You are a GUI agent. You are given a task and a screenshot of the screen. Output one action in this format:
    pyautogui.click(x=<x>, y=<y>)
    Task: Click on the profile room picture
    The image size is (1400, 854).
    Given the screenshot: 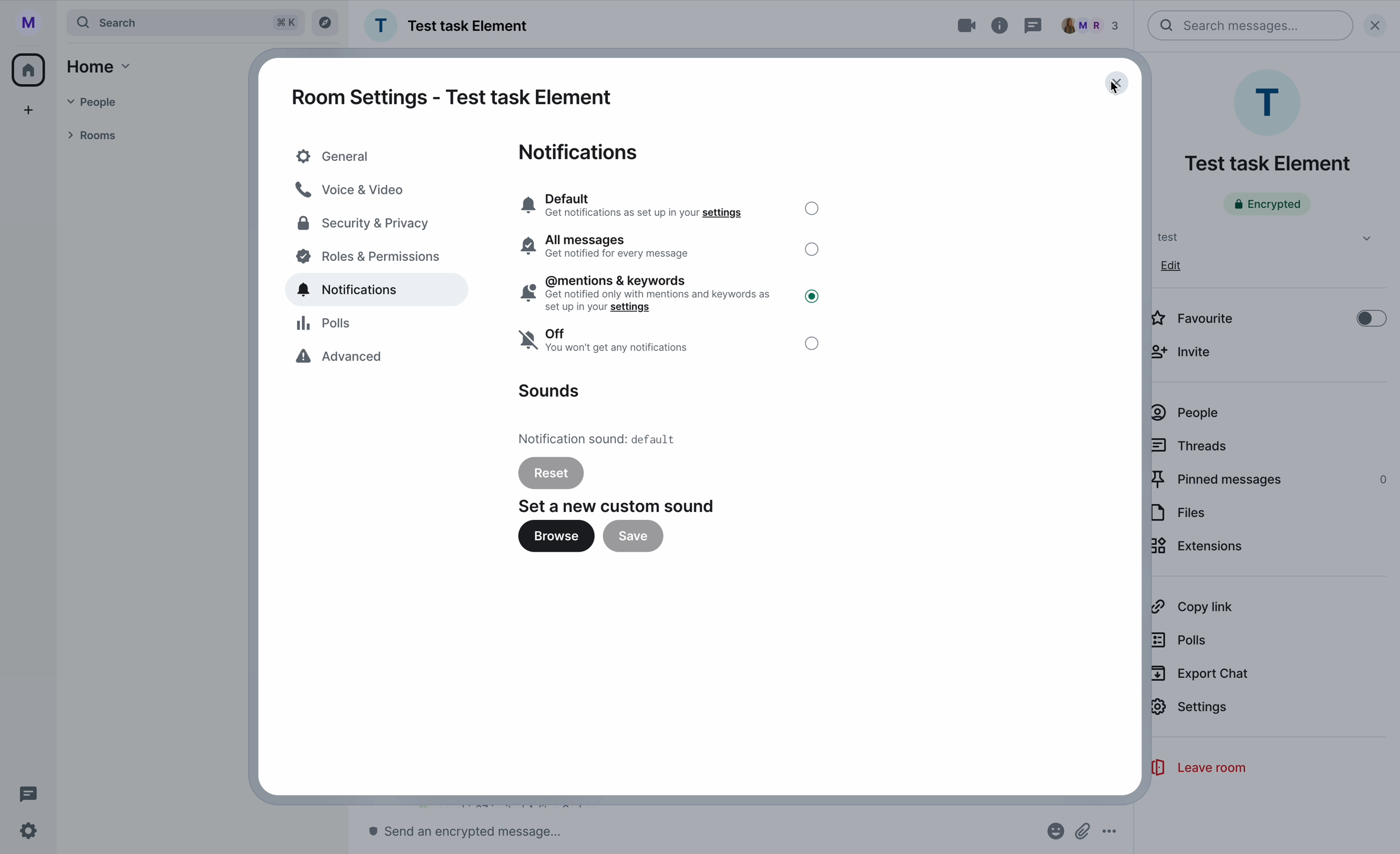 What is the action you would take?
    pyautogui.click(x=1270, y=102)
    